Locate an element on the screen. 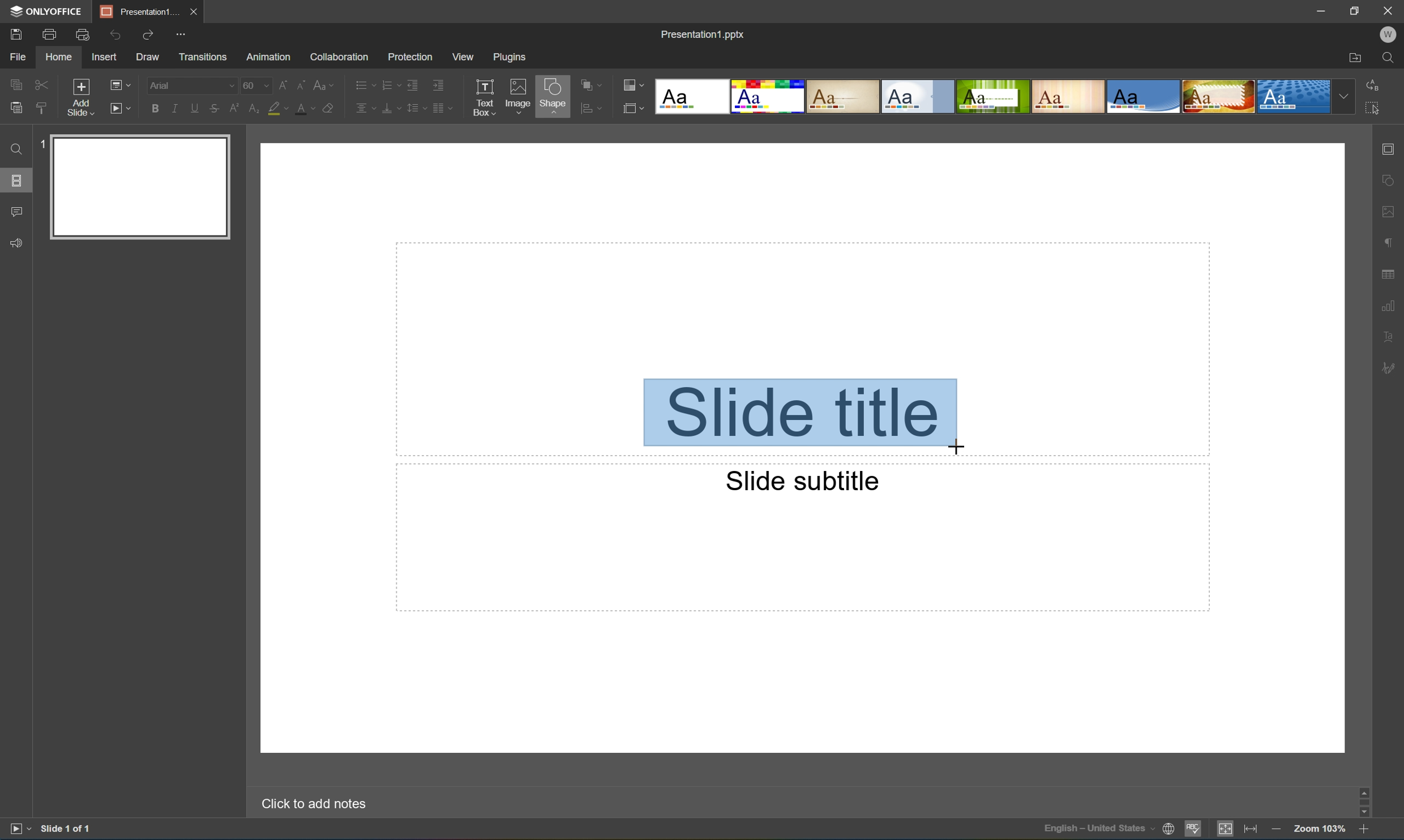 This screenshot has width=1404, height=840. Select all is located at coordinates (1373, 112).